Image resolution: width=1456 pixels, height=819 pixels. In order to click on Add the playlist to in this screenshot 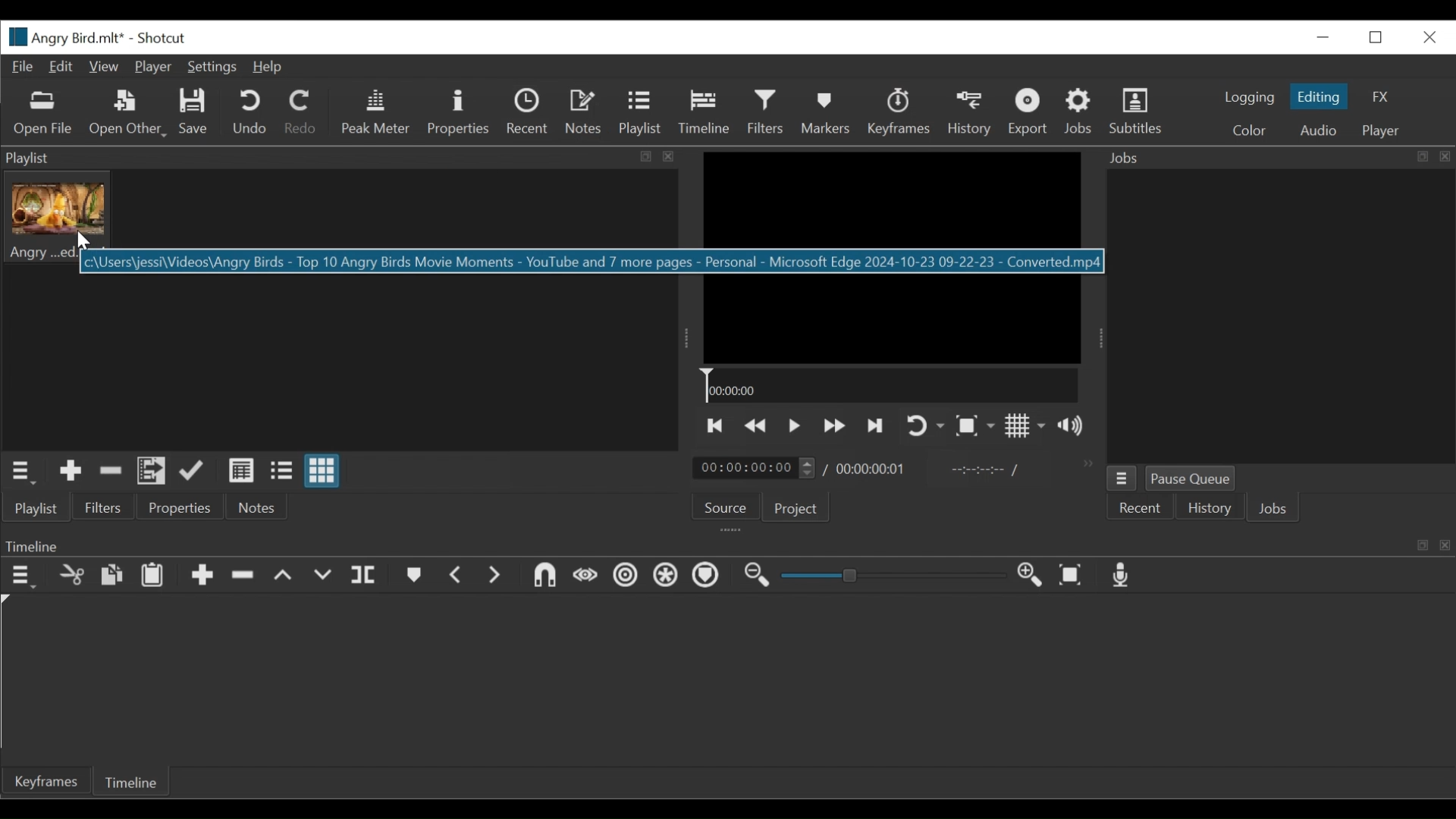, I will do `click(152, 471)`.